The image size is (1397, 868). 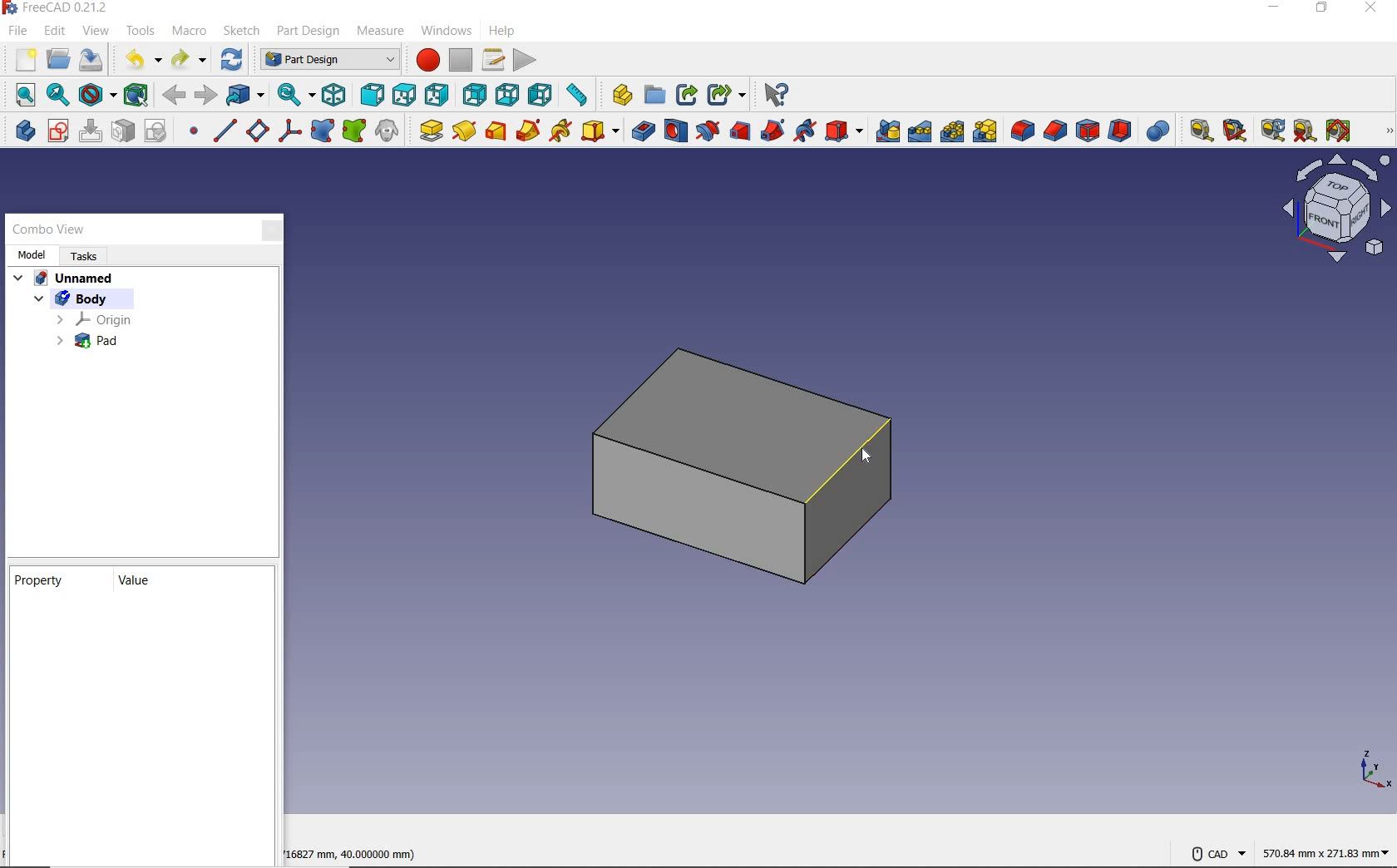 What do you see at coordinates (1021, 131) in the screenshot?
I see `fillet` at bounding box center [1021, 131].